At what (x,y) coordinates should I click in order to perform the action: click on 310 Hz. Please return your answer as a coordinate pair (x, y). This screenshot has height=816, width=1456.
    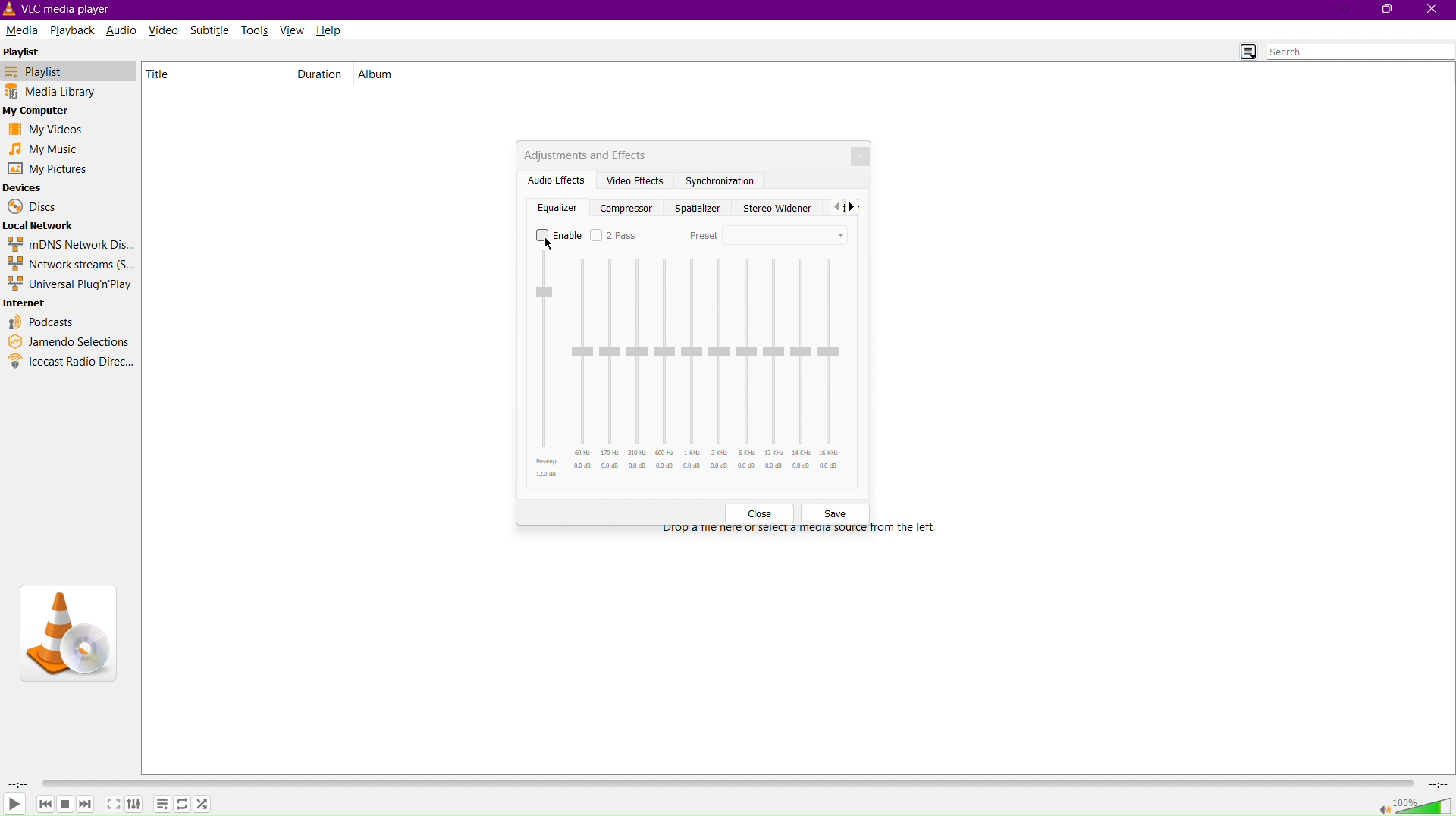
    Looking at the image, I should click on (638, 362).